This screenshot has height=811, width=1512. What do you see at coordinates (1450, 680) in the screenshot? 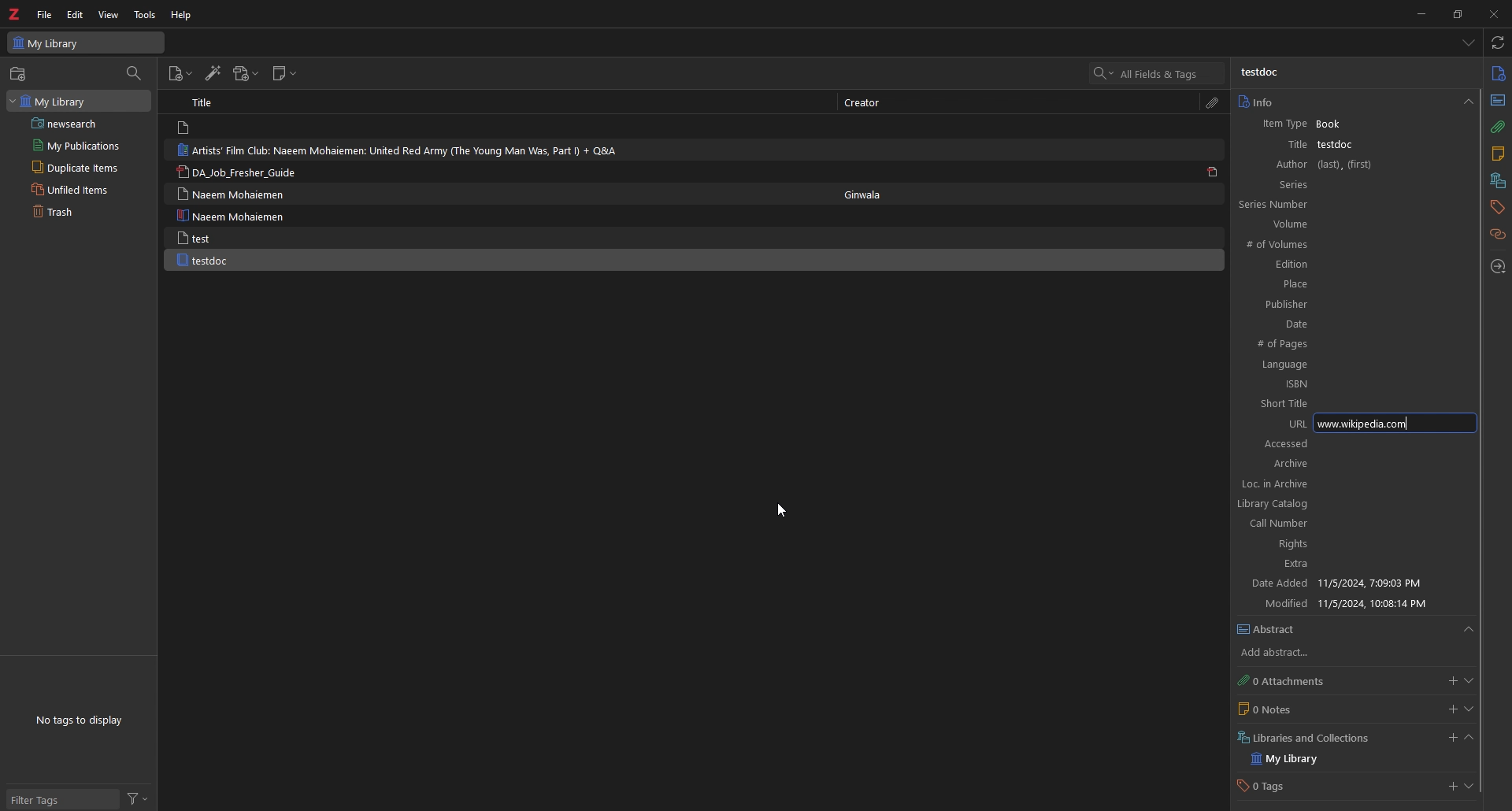
I see `add attachments` at bounding box center [1450, 680].